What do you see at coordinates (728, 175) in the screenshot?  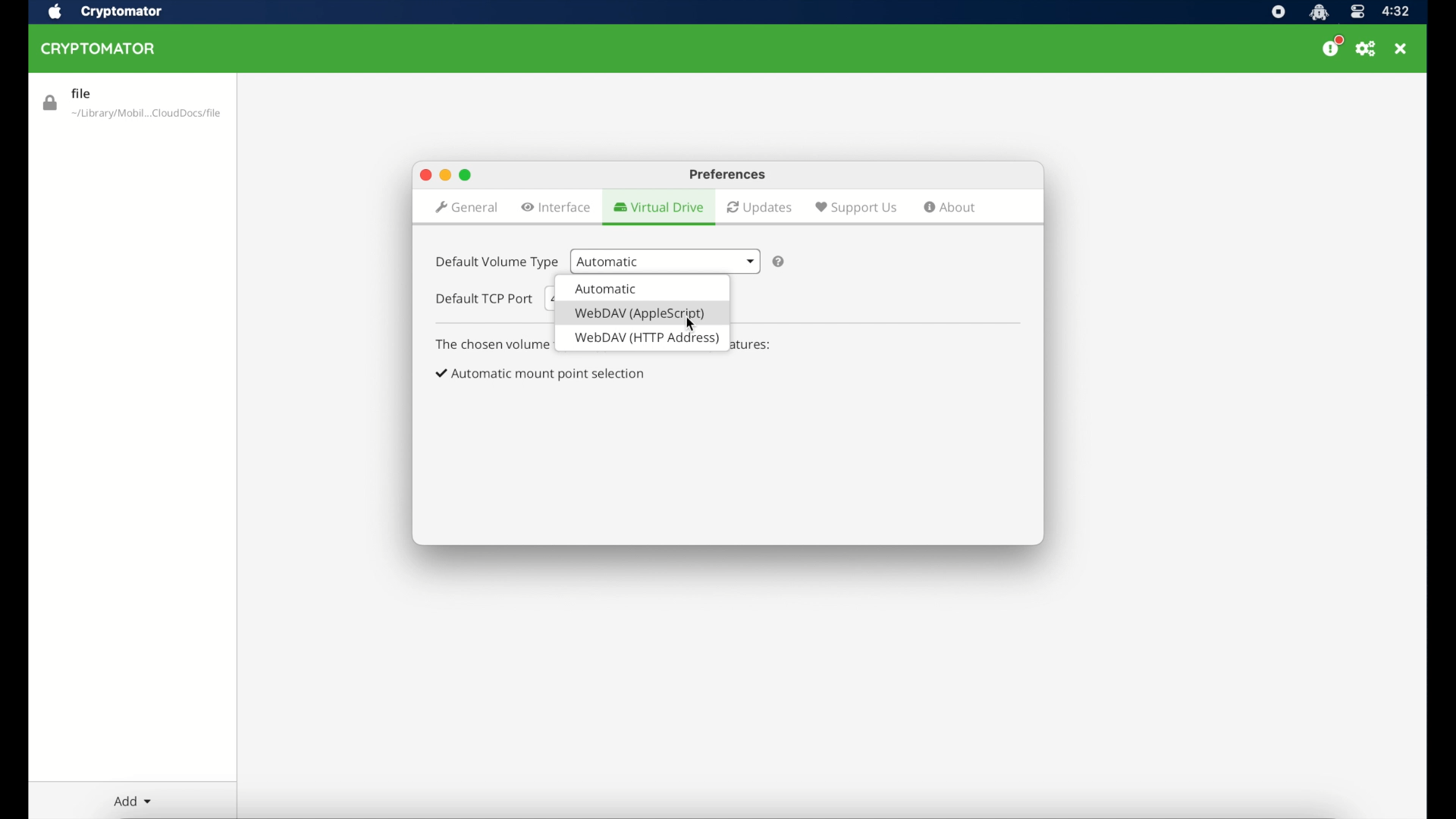 I see `preferences` at bounding box center [728, 175].